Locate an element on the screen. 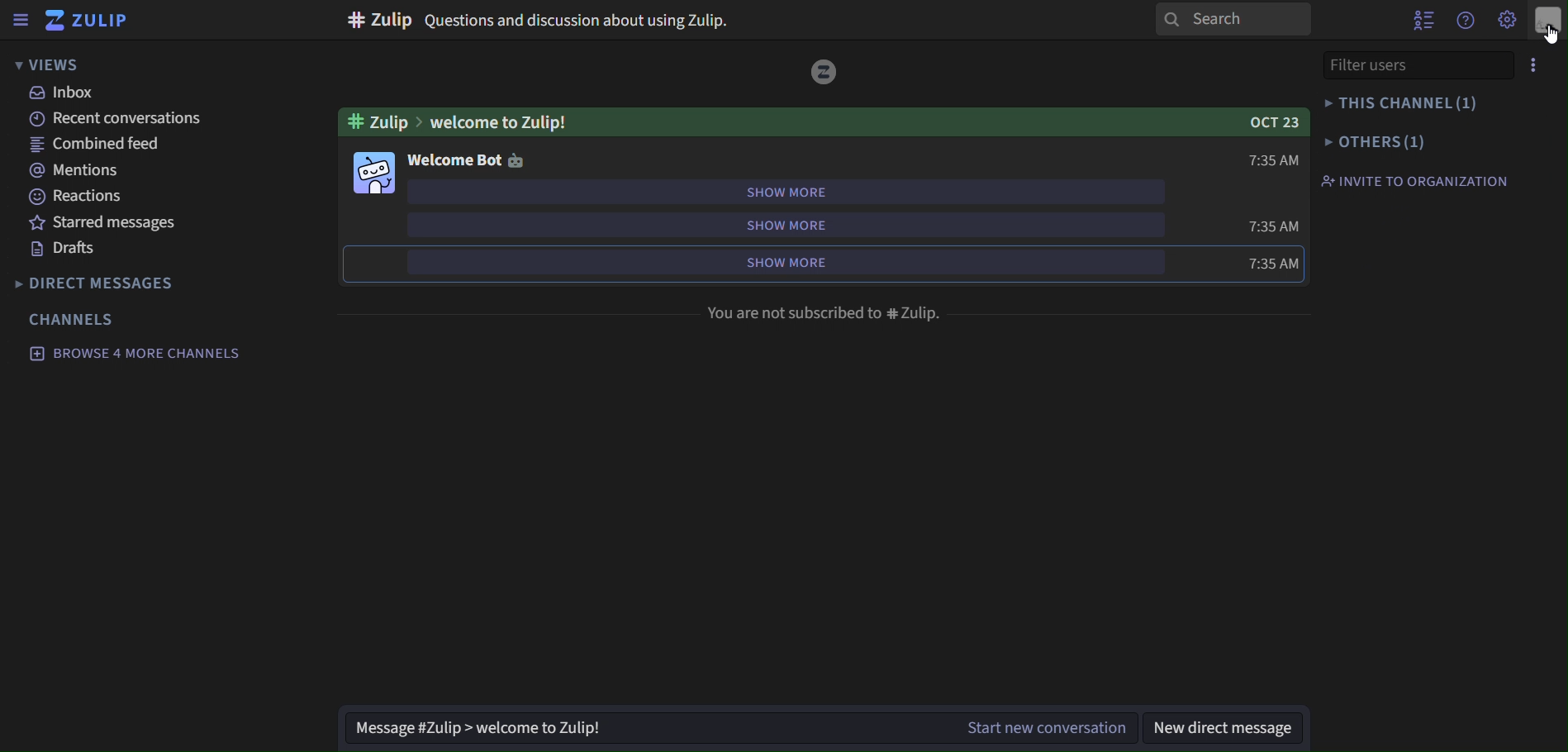 The width and height of the screenshot is (1568, 752). #Zulip > is located at coordinates (382, 121).